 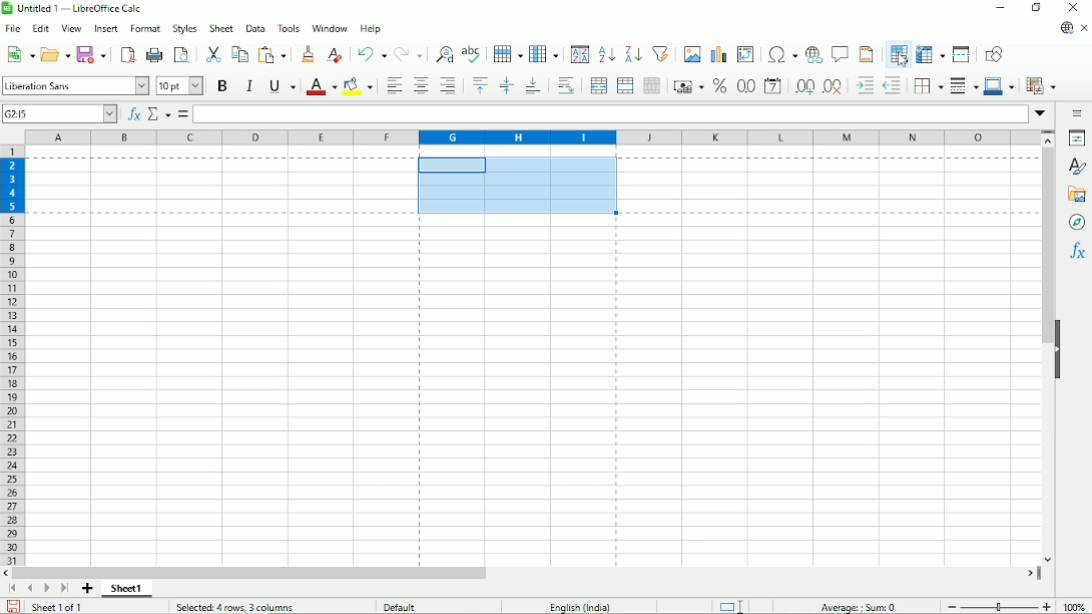 I want to click on View, so click(x=71, y=29).